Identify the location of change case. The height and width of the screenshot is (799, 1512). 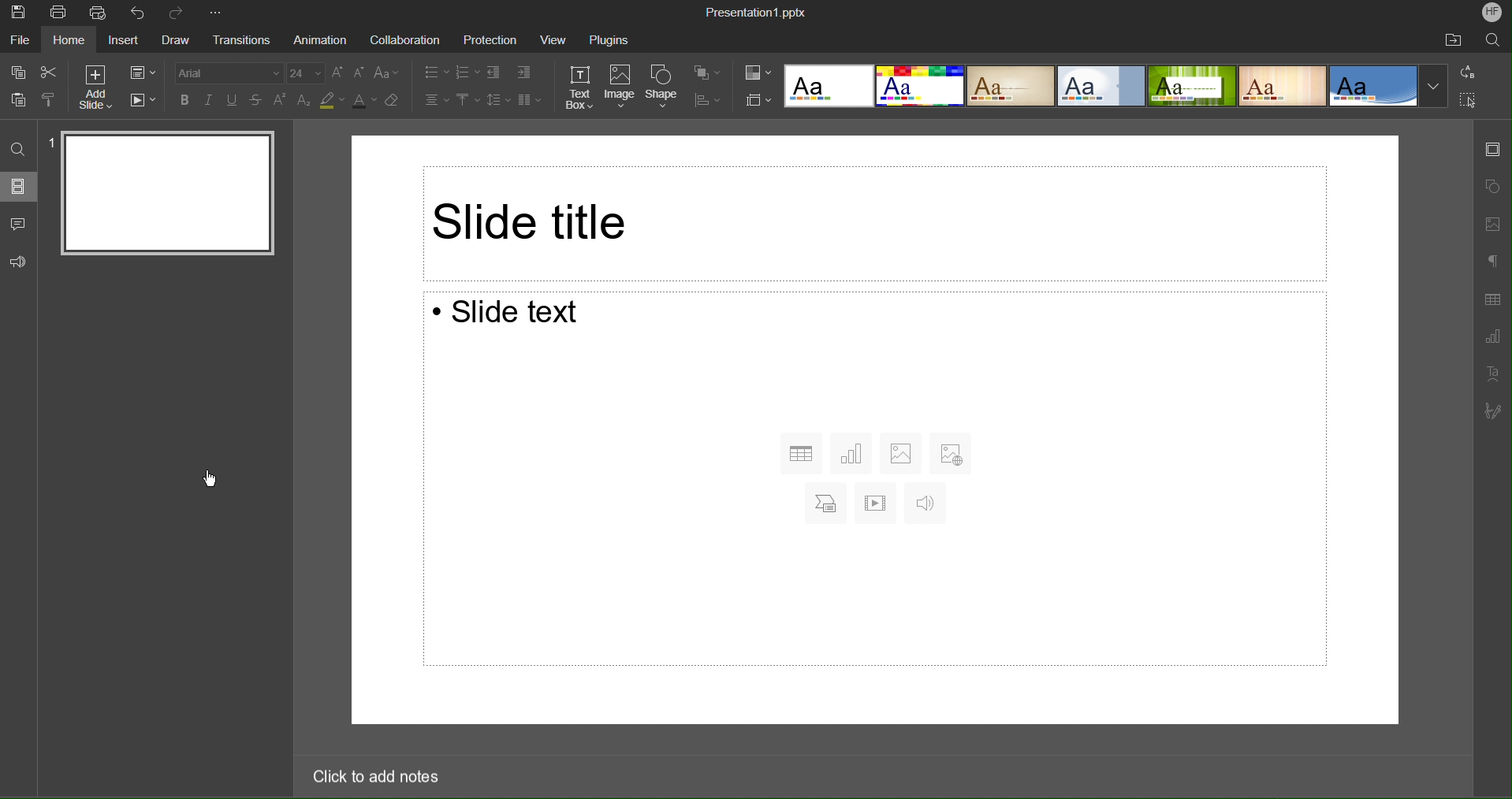
(388, 72).